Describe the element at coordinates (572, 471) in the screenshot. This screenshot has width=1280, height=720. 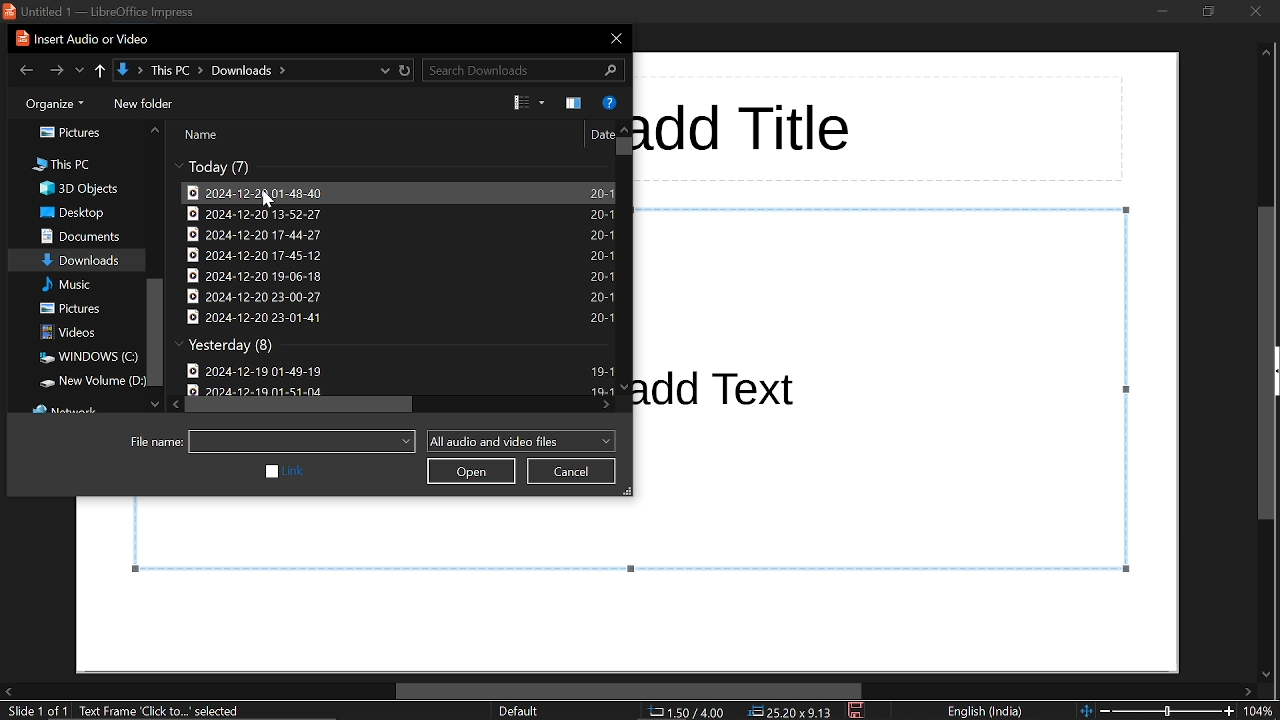
I see `cancel` at that location.